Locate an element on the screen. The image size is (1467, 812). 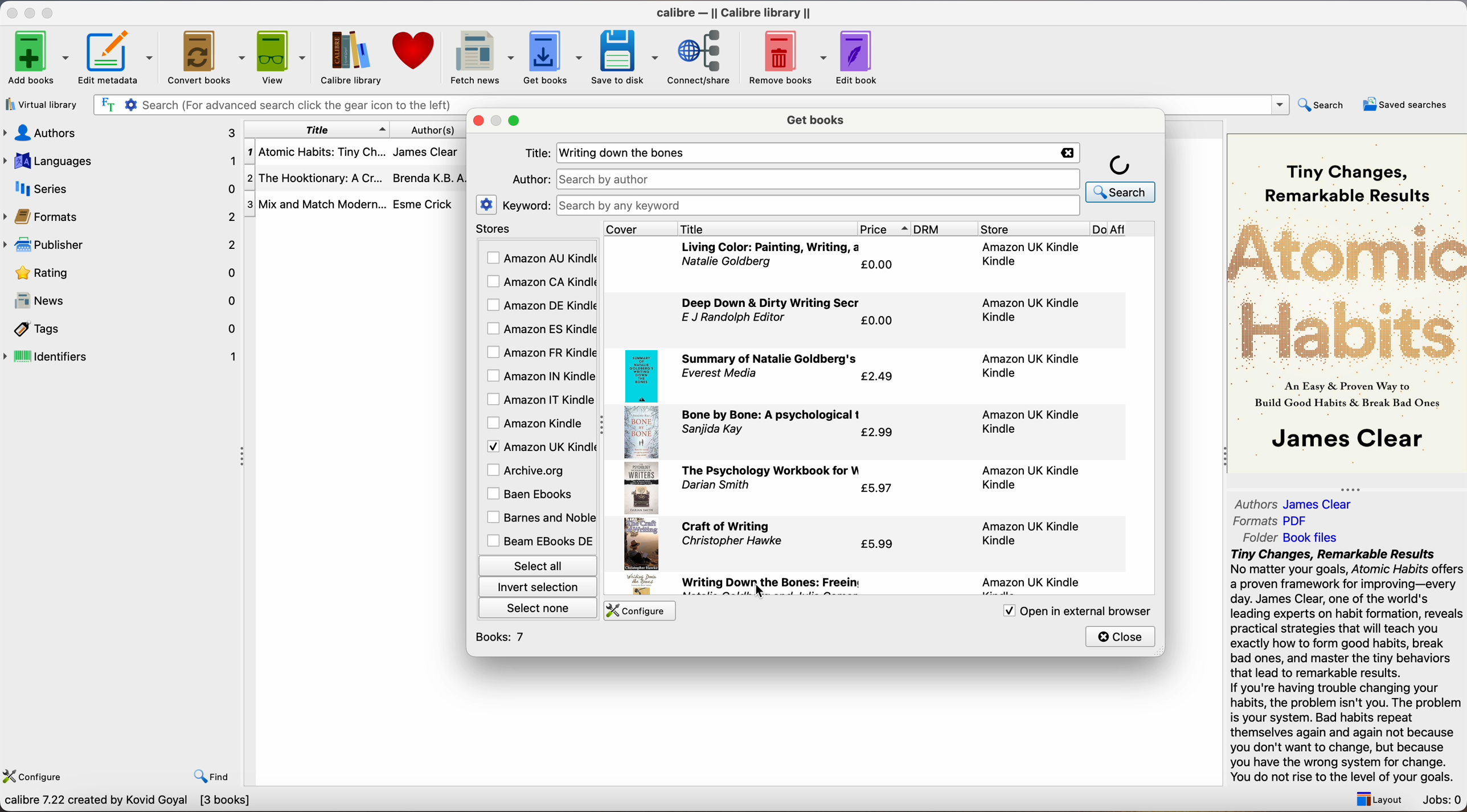
stores is located at coordinates (536, 229).